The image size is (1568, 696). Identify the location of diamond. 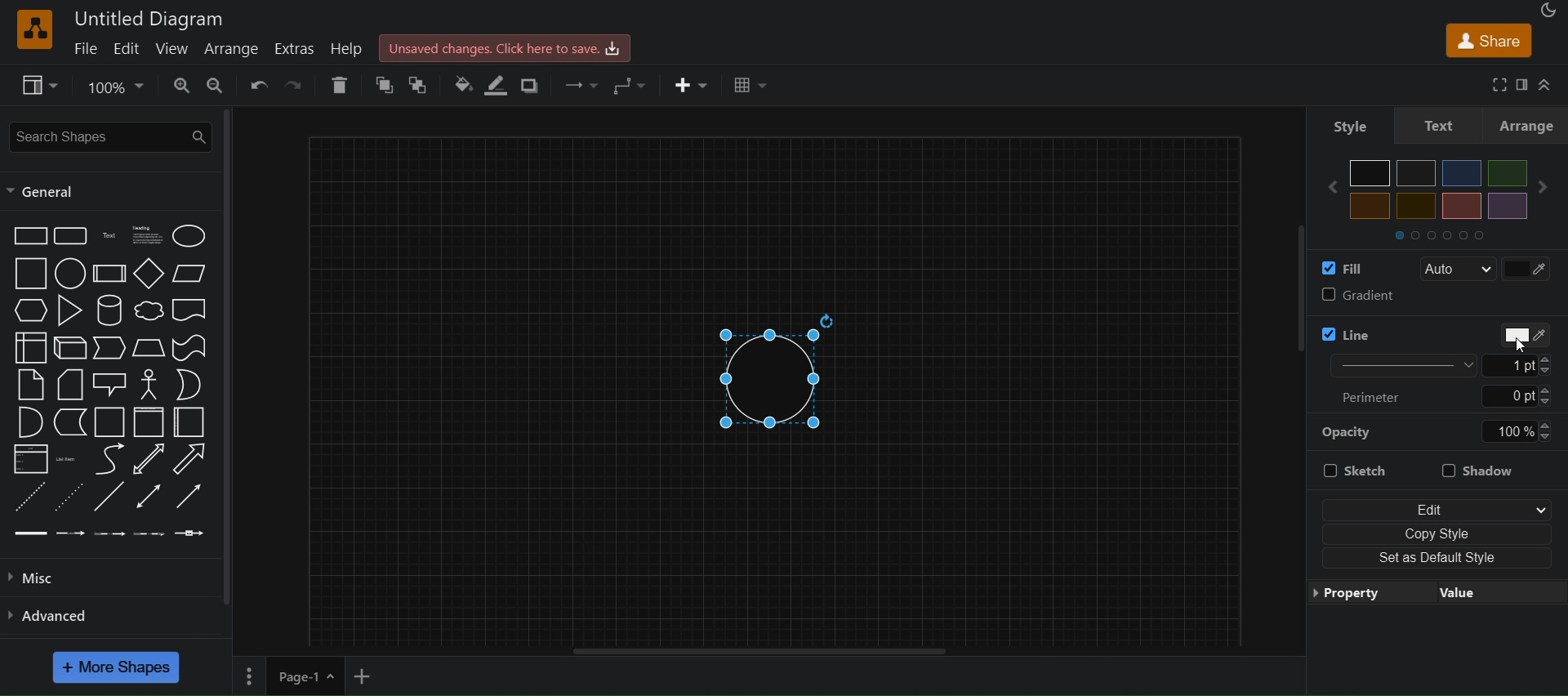
(149, 275).